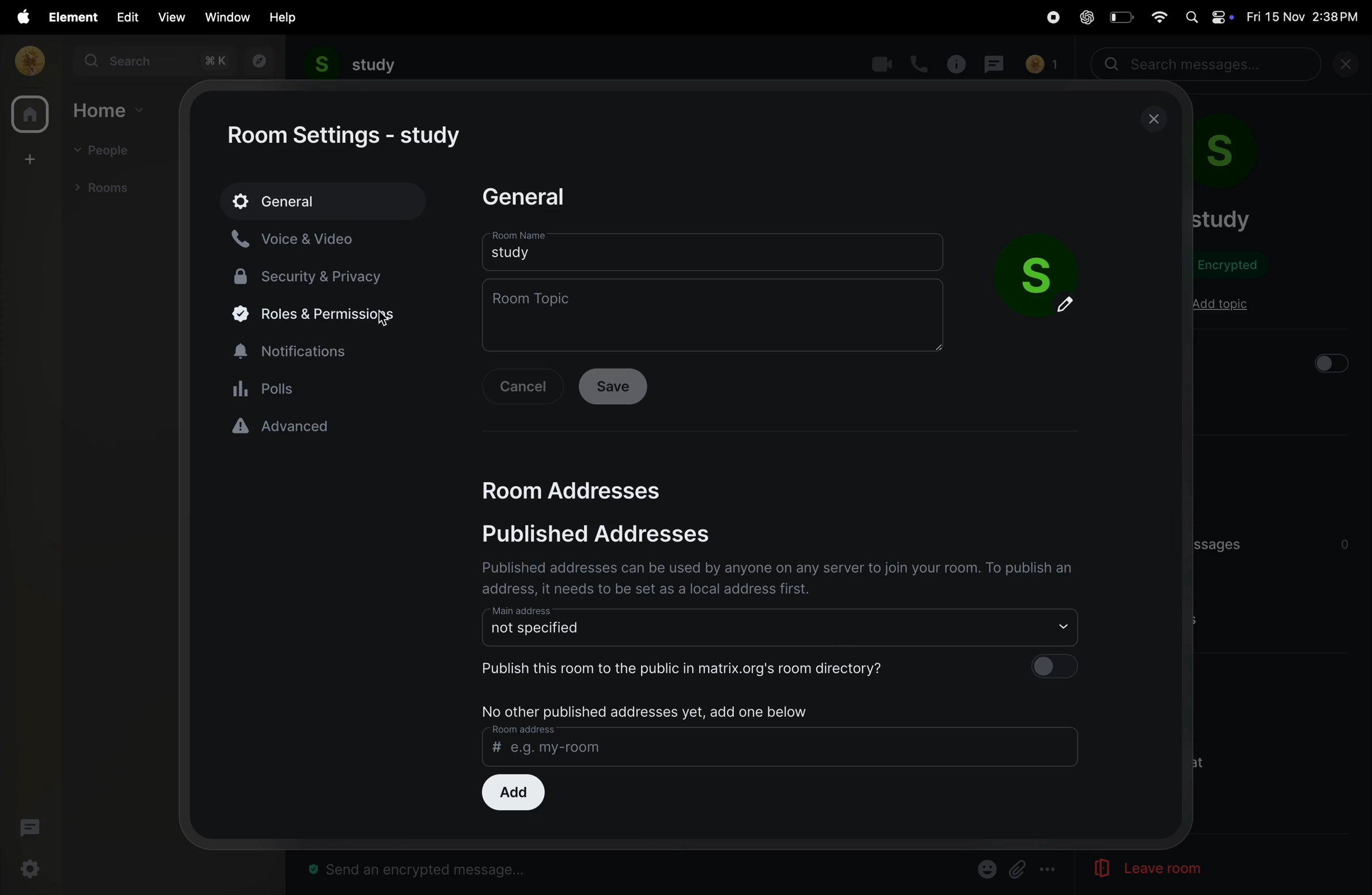 The width and height of the screenshot is (1372, 895). Describe the element at coordinates (617, 388) in the screenshot. I see `Save` at that location.